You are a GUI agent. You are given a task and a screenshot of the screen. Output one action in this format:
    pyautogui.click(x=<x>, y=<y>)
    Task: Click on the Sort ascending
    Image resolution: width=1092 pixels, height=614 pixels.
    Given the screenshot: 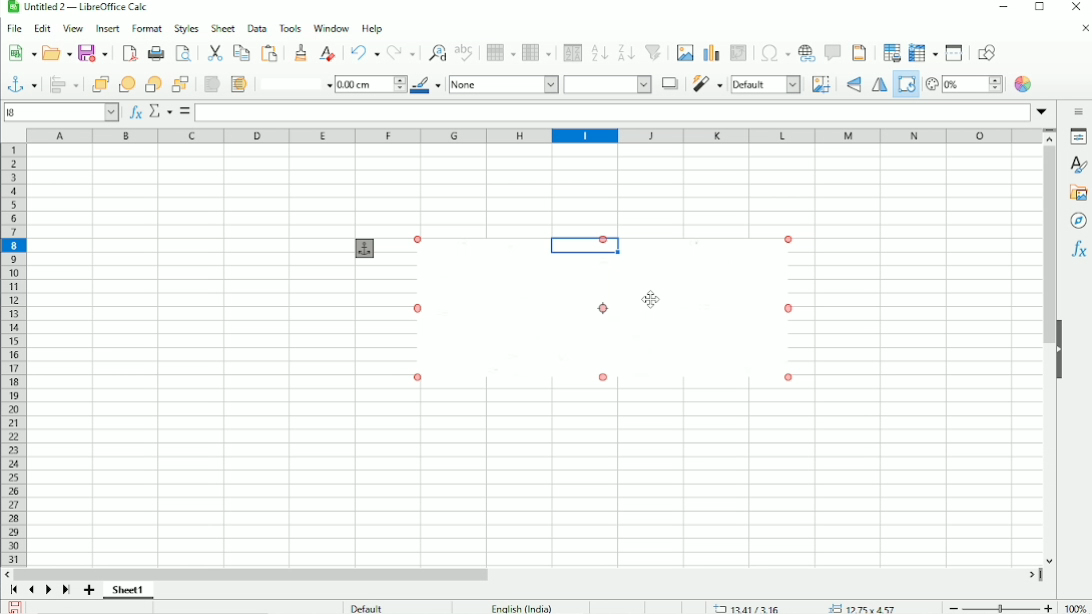 What is the action you would take?
    pyautogui.click(x=599, y=53)
    